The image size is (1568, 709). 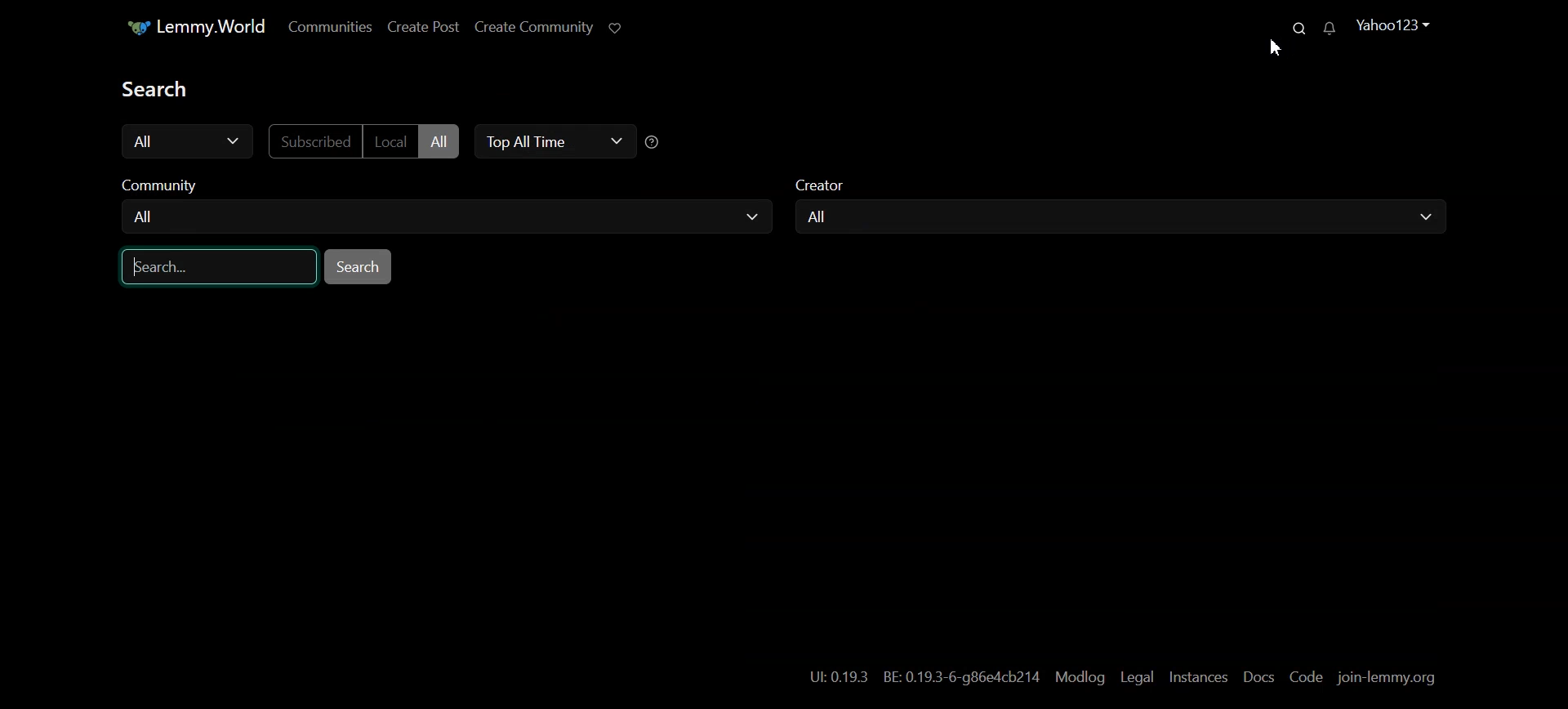 What do you see at coordinates (153, 87) in the screenshot?
I see `Text` at bounding box center [153, 87].